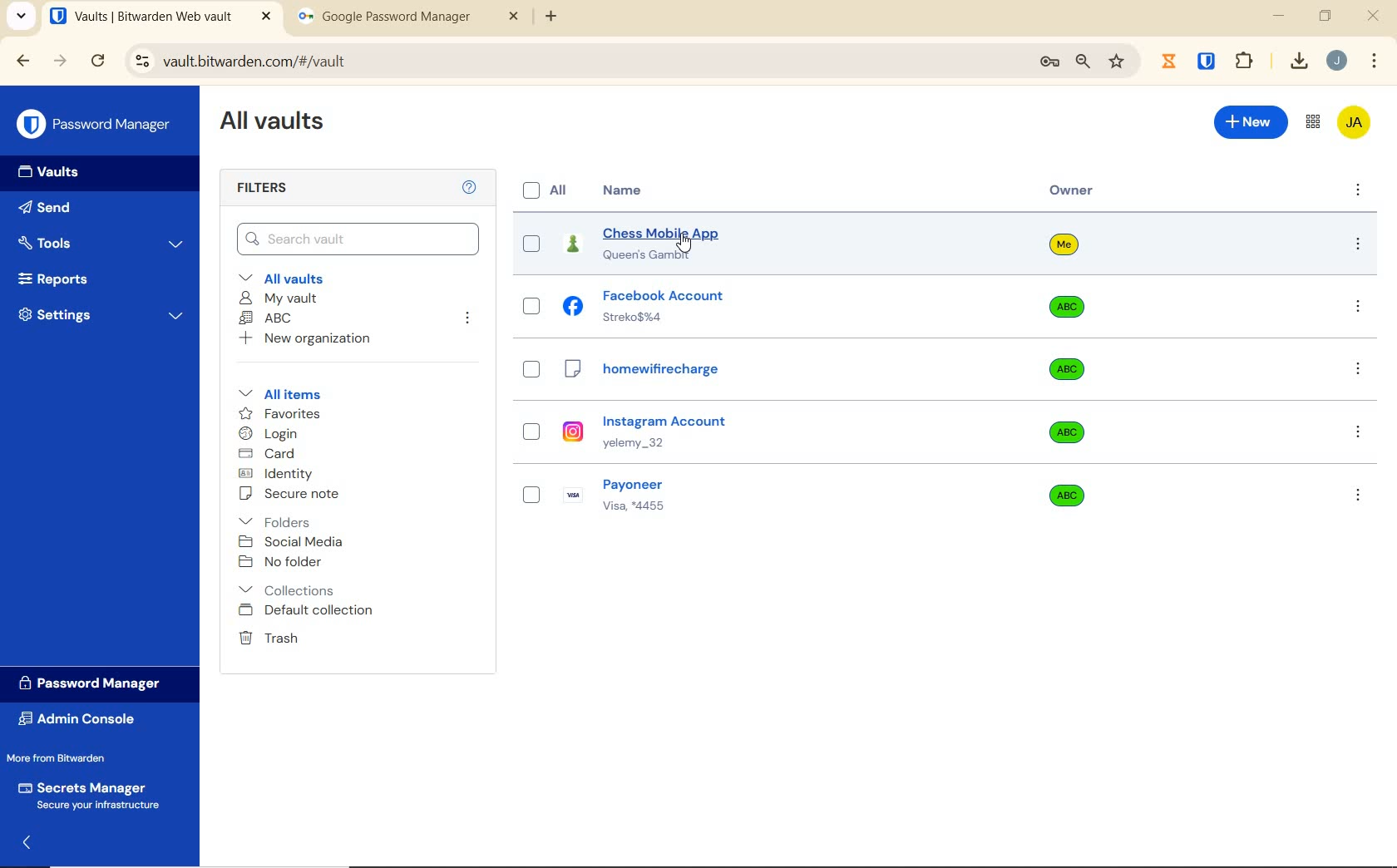 Image resolution: width=1397 pixels, height=868 pixels. I want to click on Vaults, so click(58, 174).